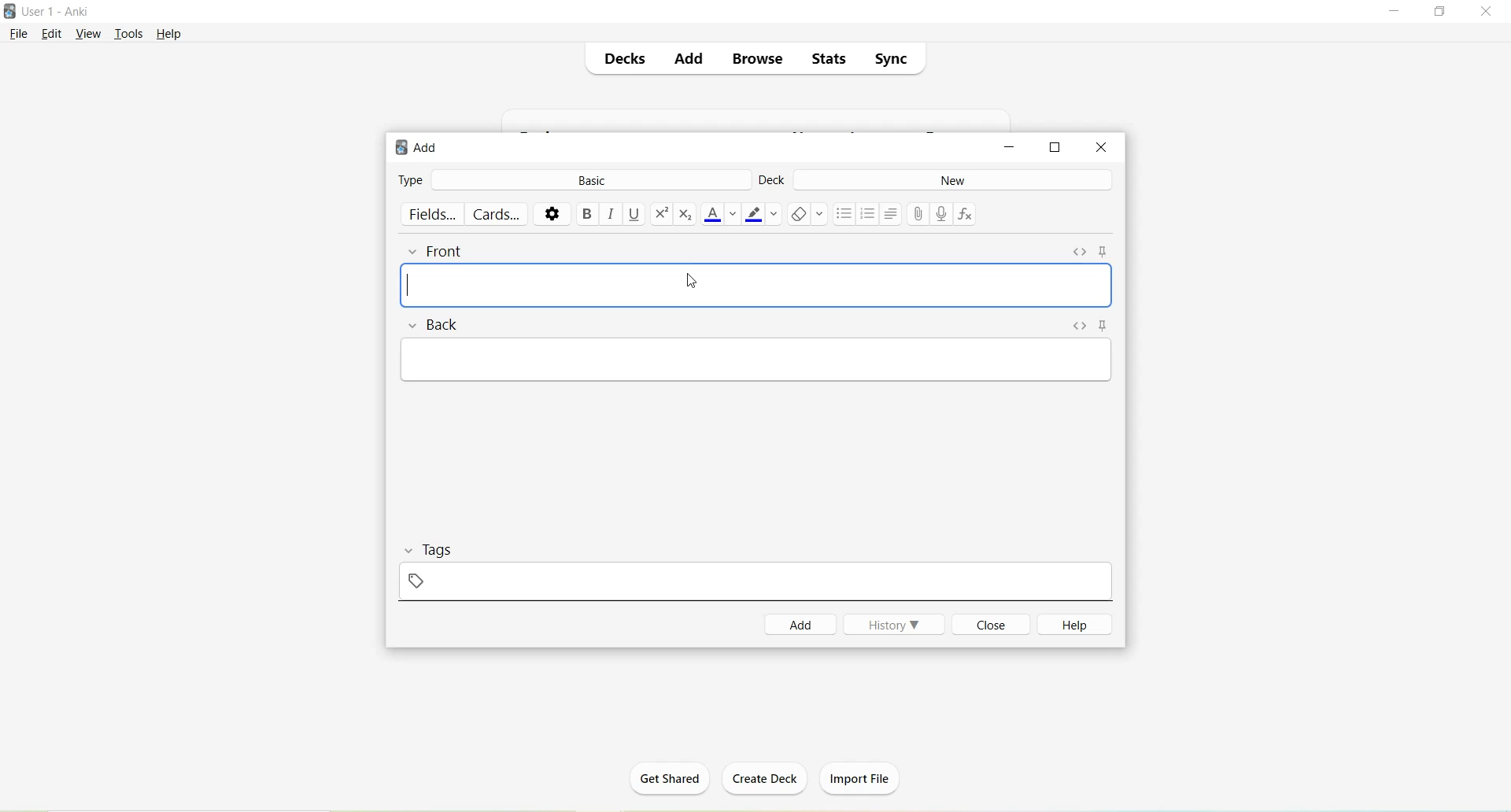 The width and height of the screenshot is (1511, 812). I want to click on Close, so click(1101, 148).